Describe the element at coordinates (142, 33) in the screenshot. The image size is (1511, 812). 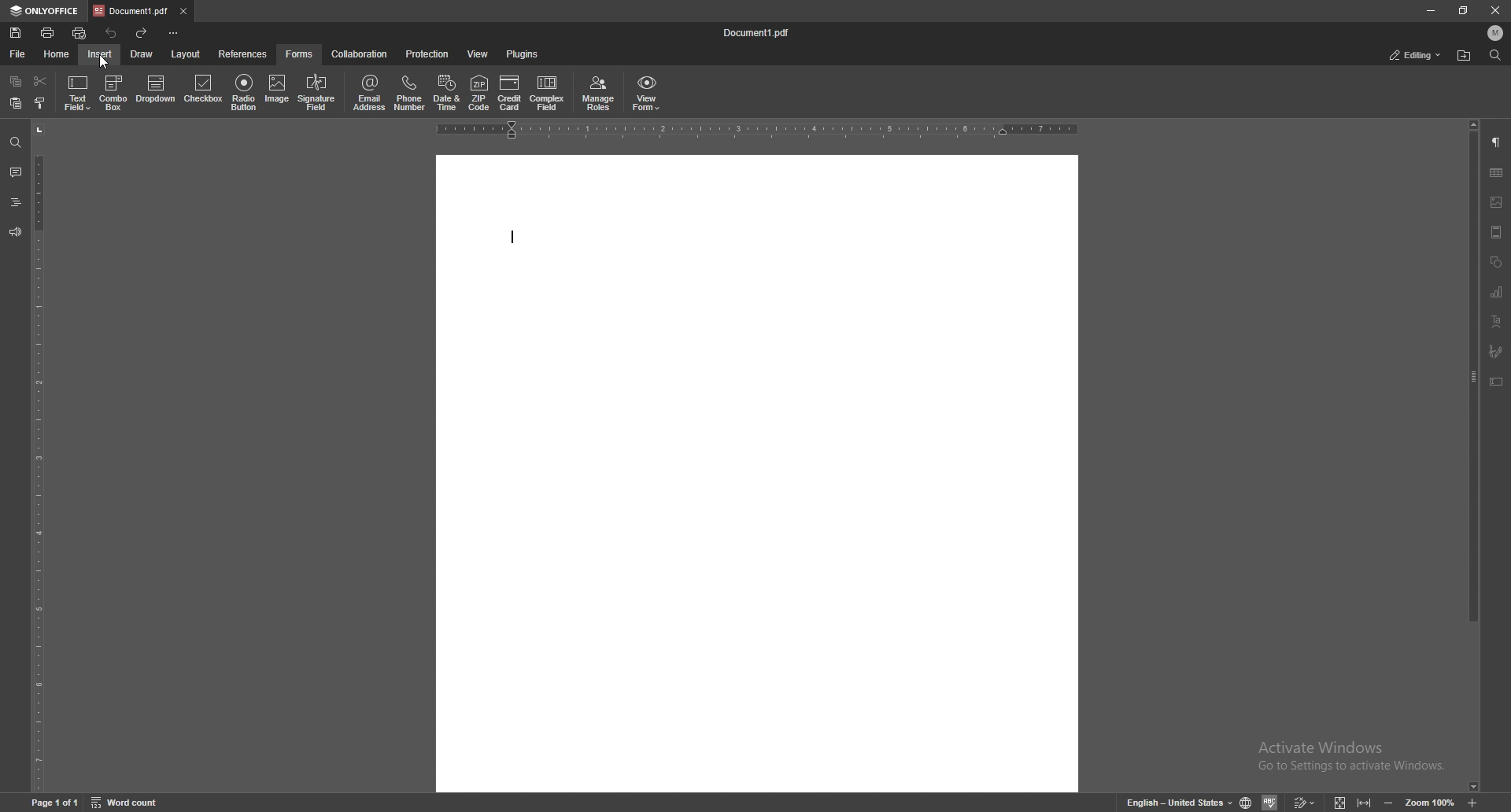
I see `redo` at that location.